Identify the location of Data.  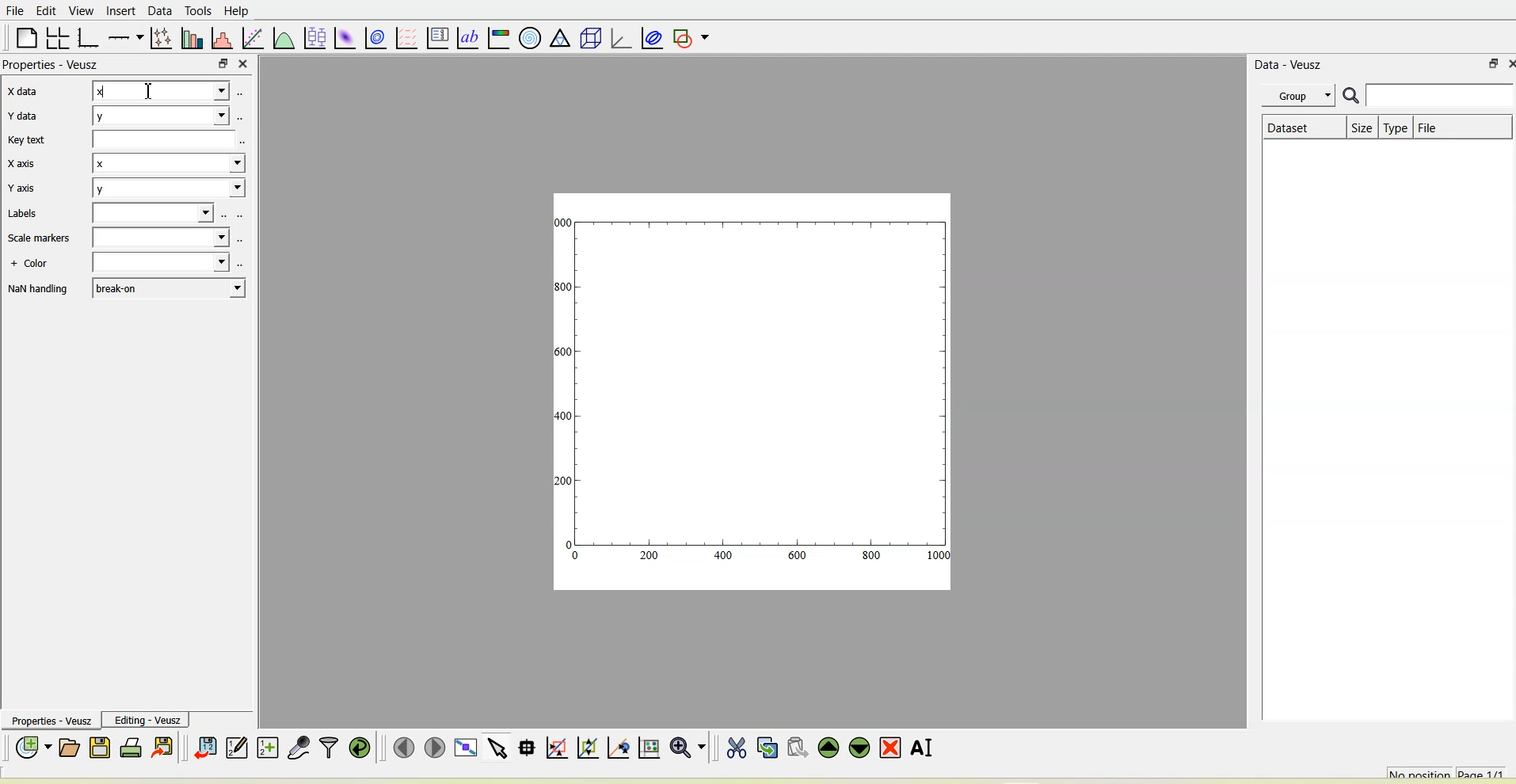
(158, 10).